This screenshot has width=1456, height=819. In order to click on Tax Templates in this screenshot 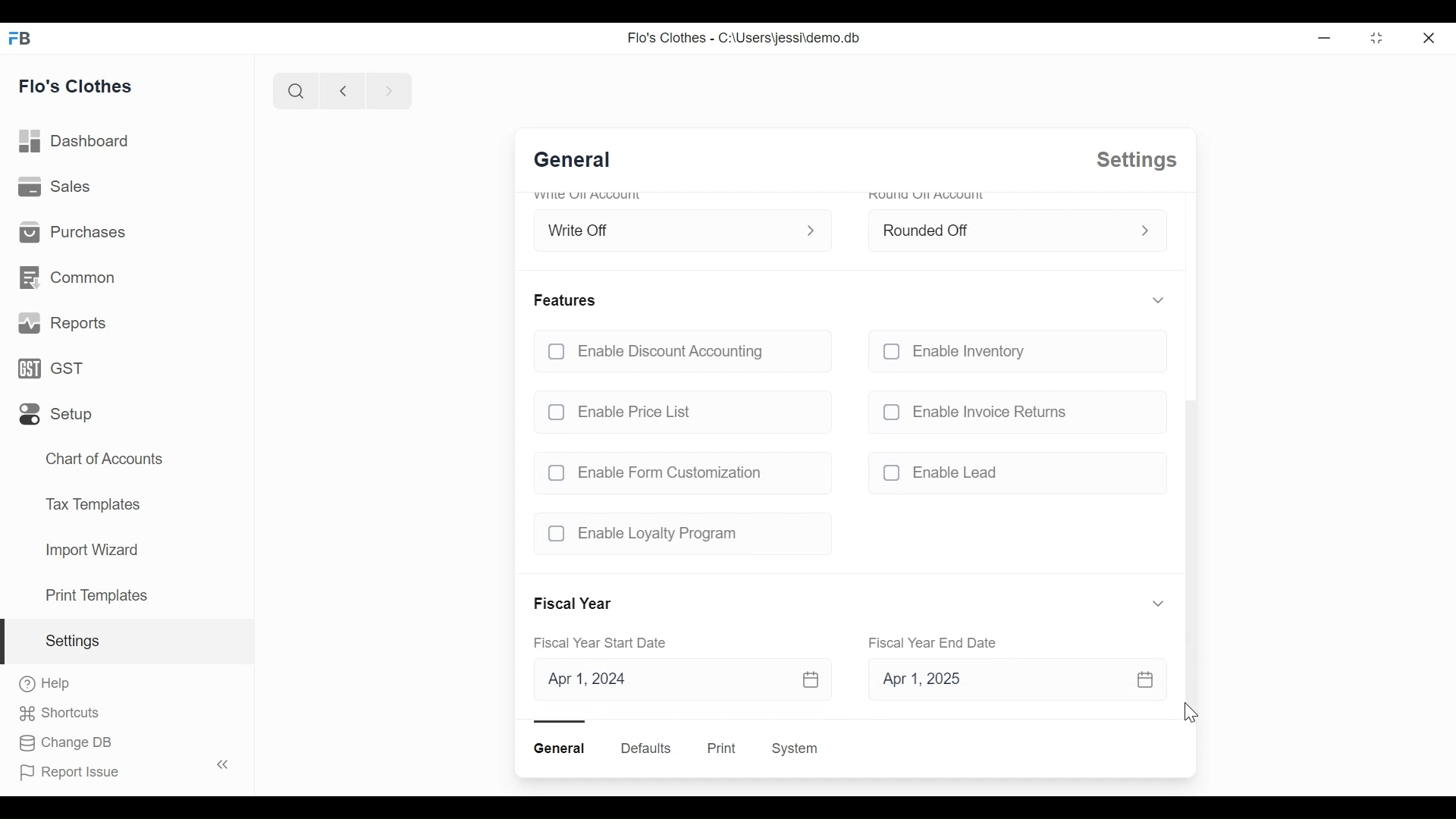, I will do `click(93, 504)`.